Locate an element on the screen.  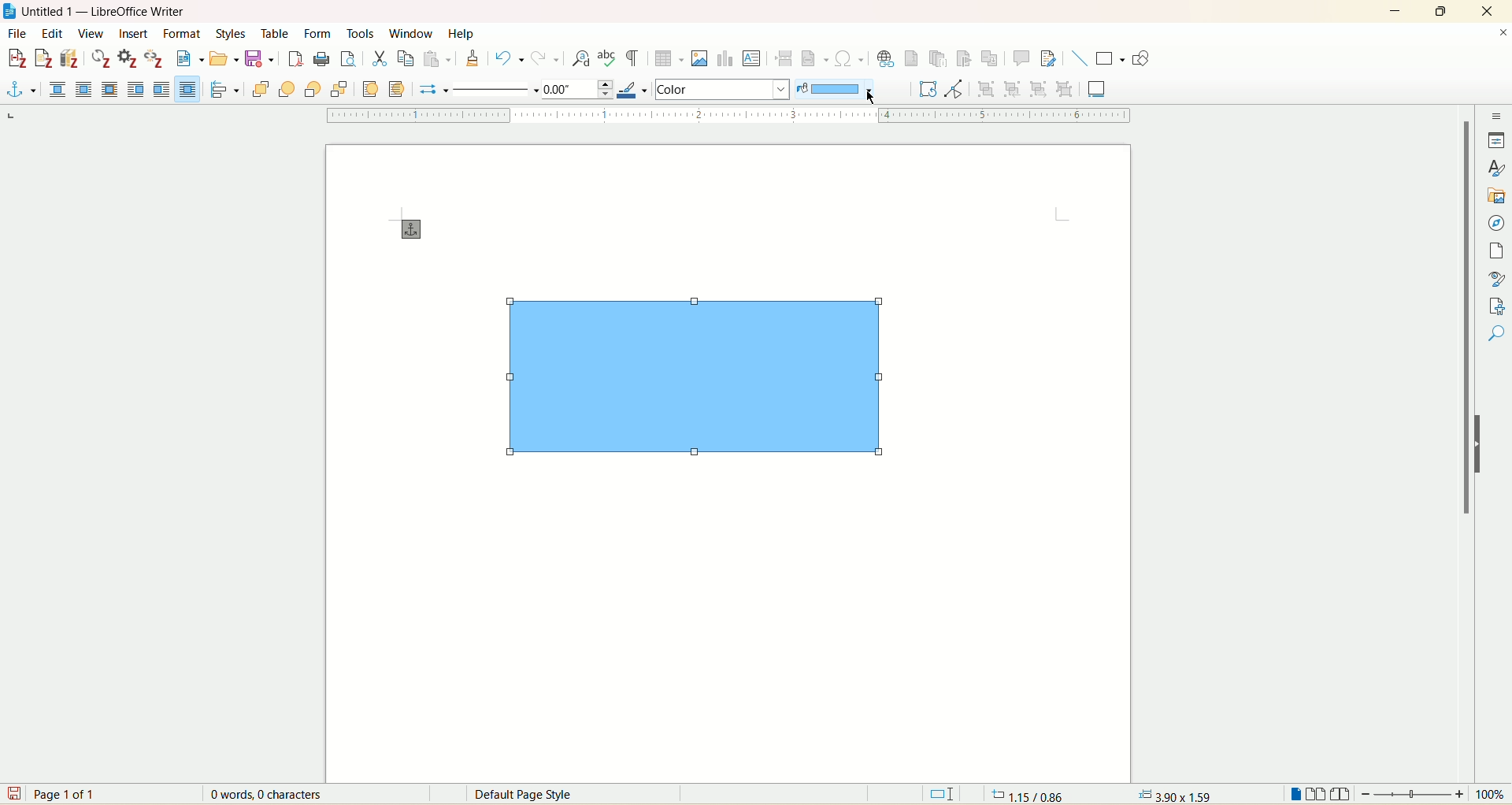
formatting is located at coordinates (472, 58).